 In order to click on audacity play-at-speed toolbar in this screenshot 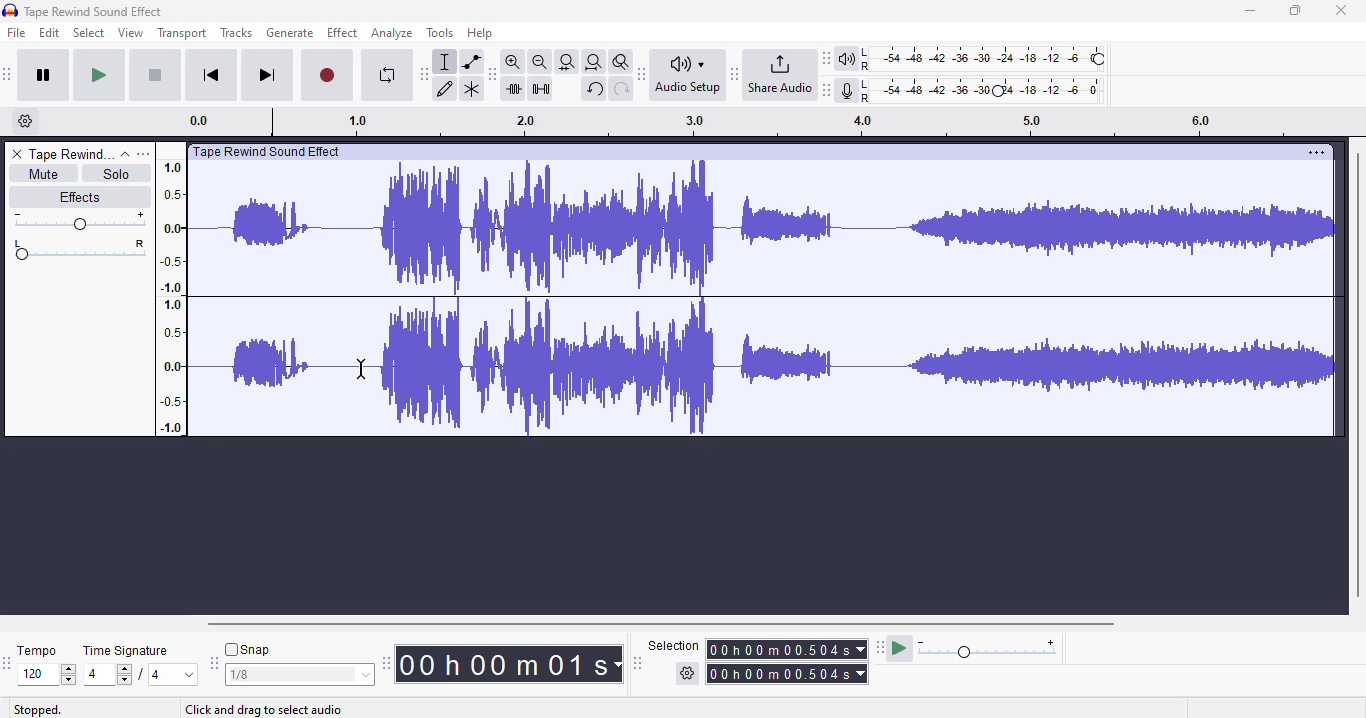, I will do `click(968, 647)`.